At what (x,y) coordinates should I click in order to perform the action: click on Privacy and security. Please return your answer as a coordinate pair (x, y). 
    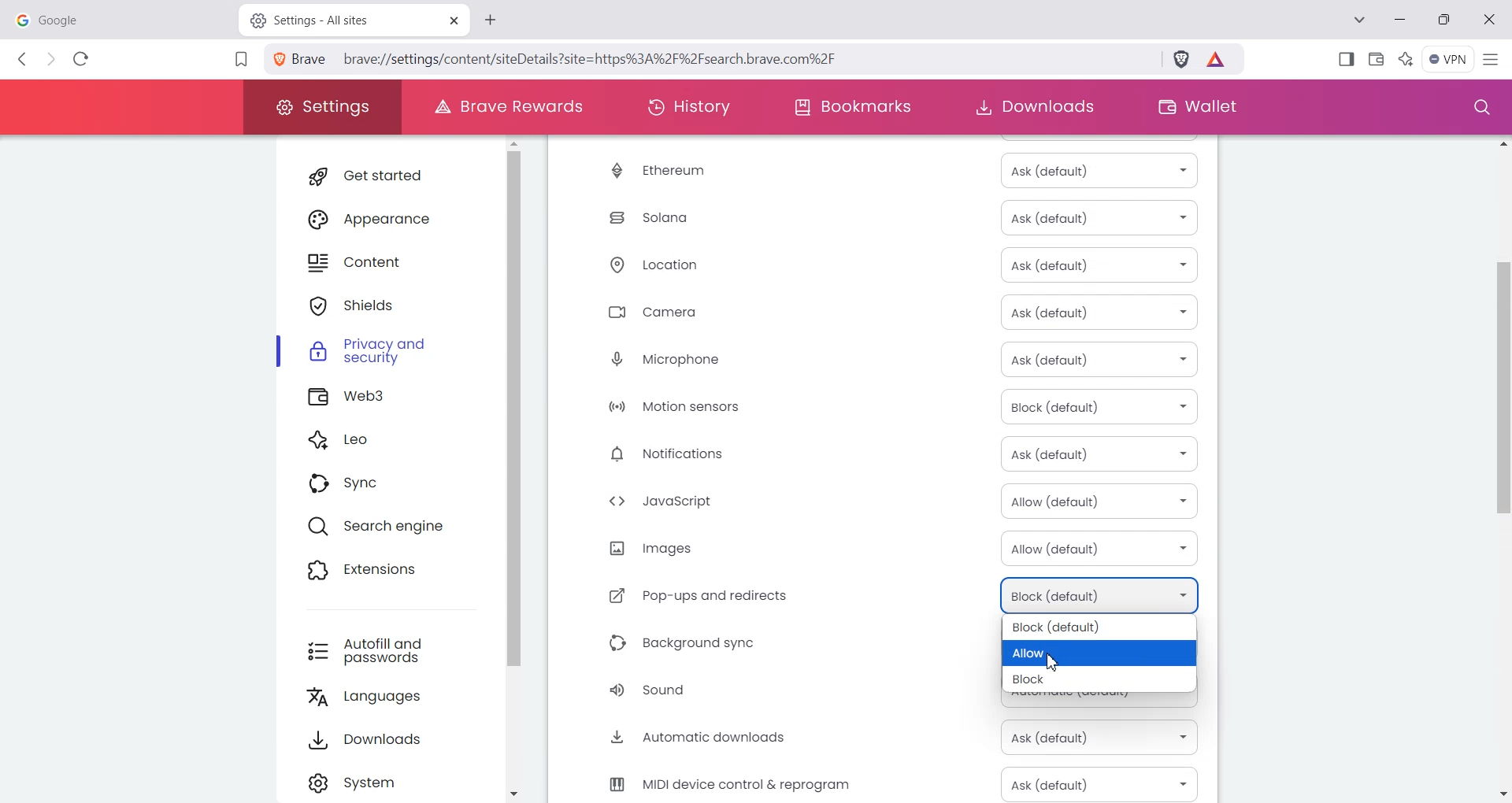
    Looking at the image, I should click on (390, 354).